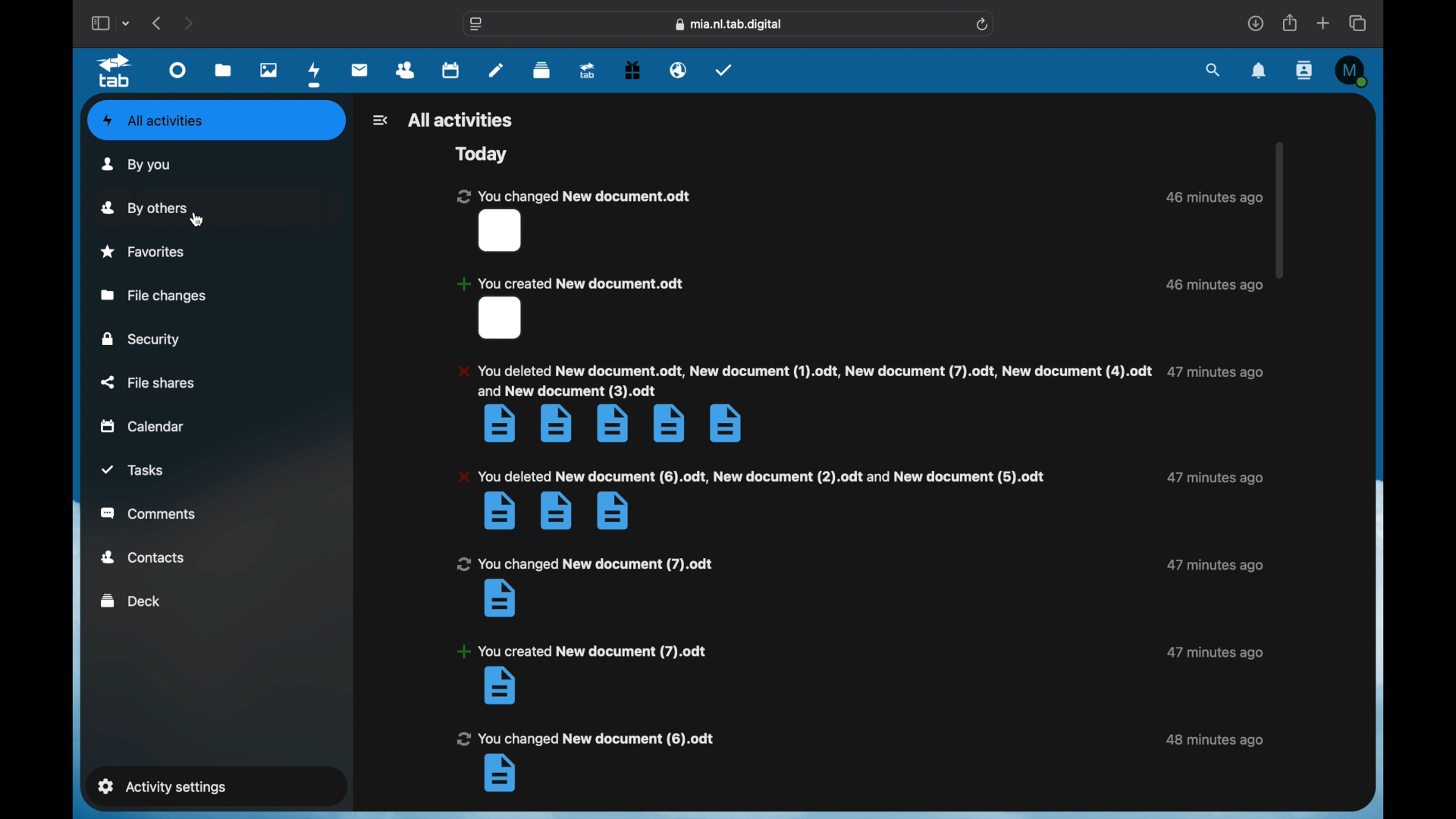 Image resolution: width=1456 pixels, height=819 pixels. Describe the element at coordinates (1359, 23) in the screenshot. I see `show tab overview` at that location.